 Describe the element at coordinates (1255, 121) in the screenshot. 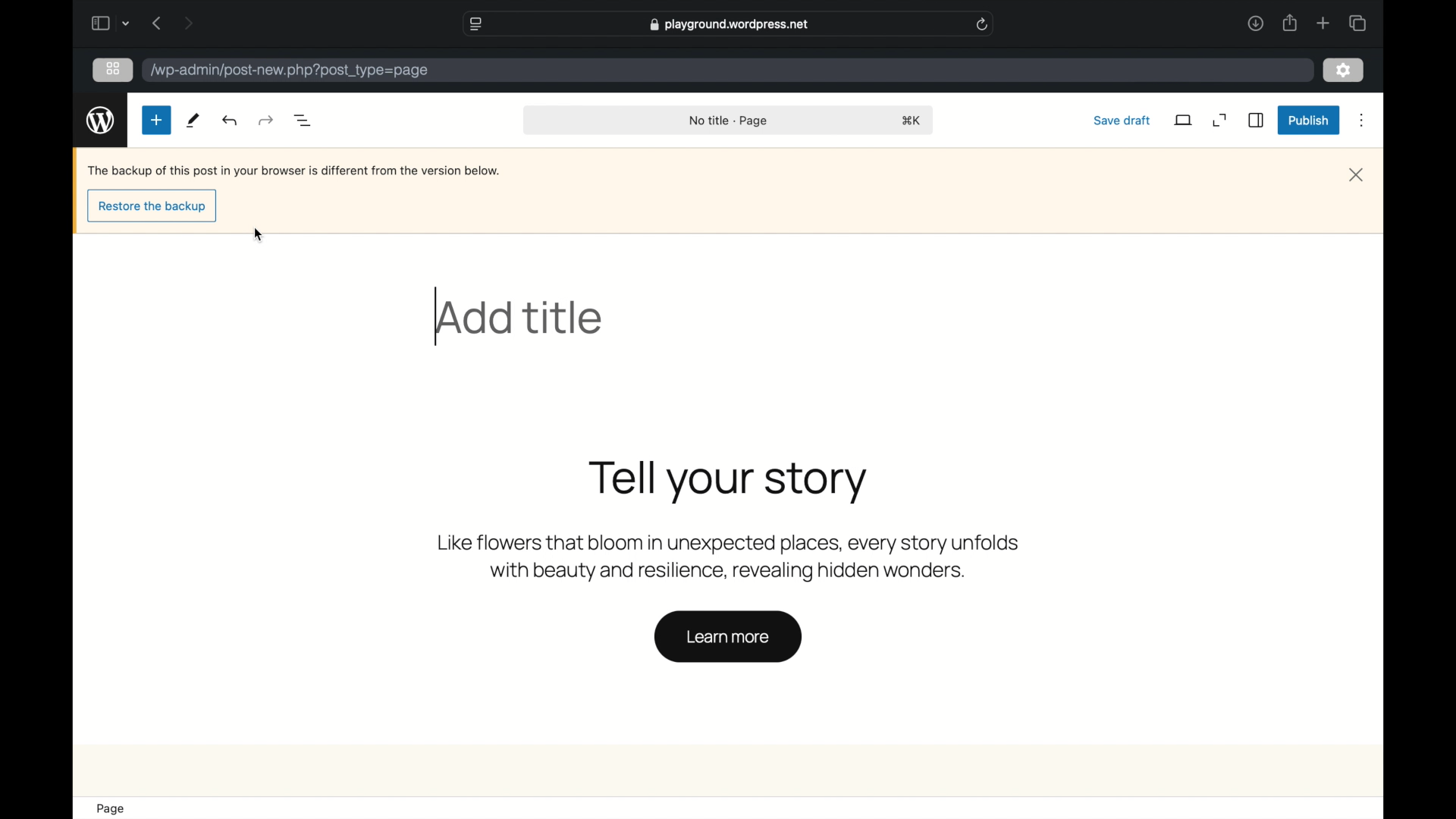

I see `sidebar` at that location.